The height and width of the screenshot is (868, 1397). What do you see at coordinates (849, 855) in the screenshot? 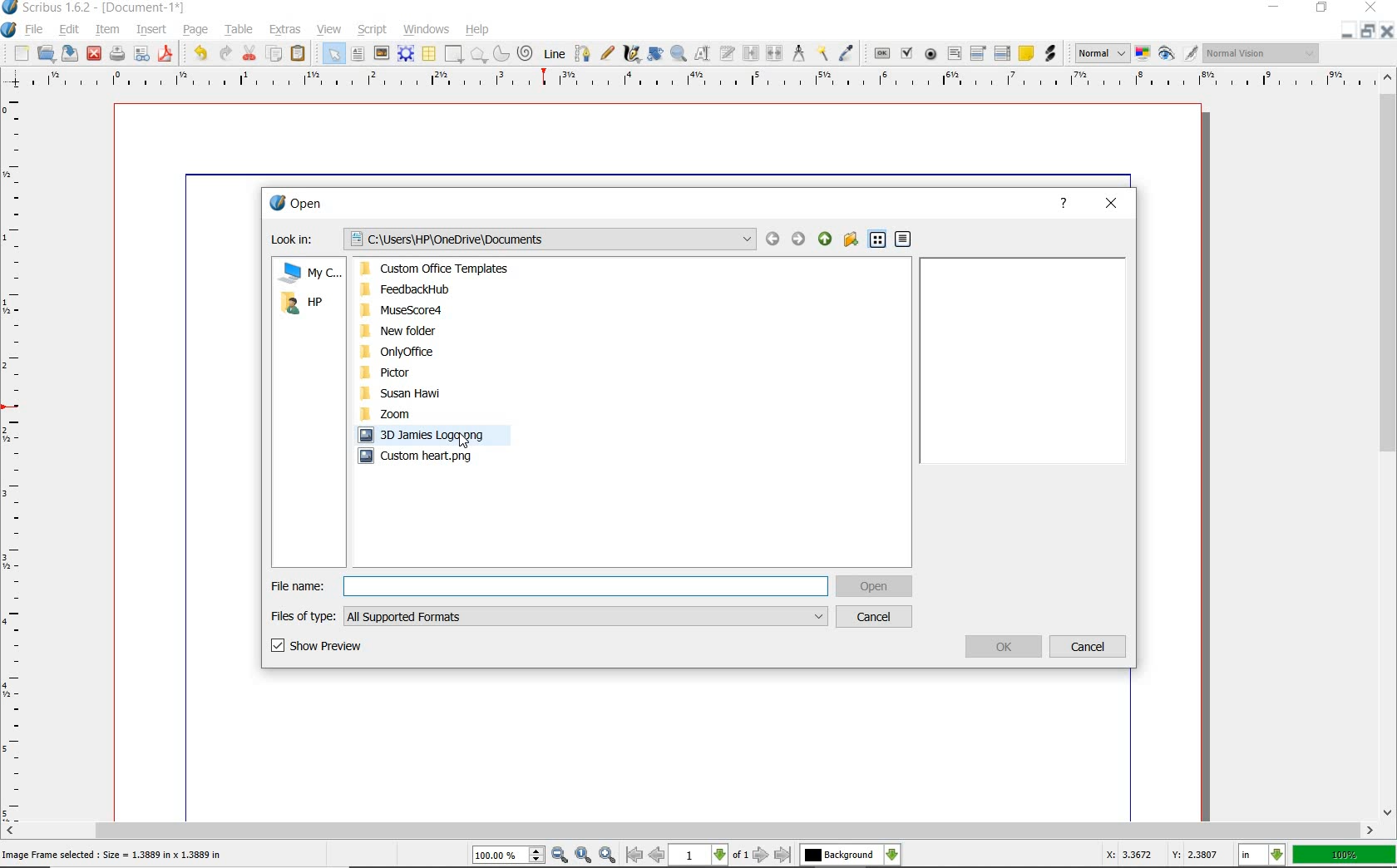
I see `select the current layer` at bounding box center [849, 855].